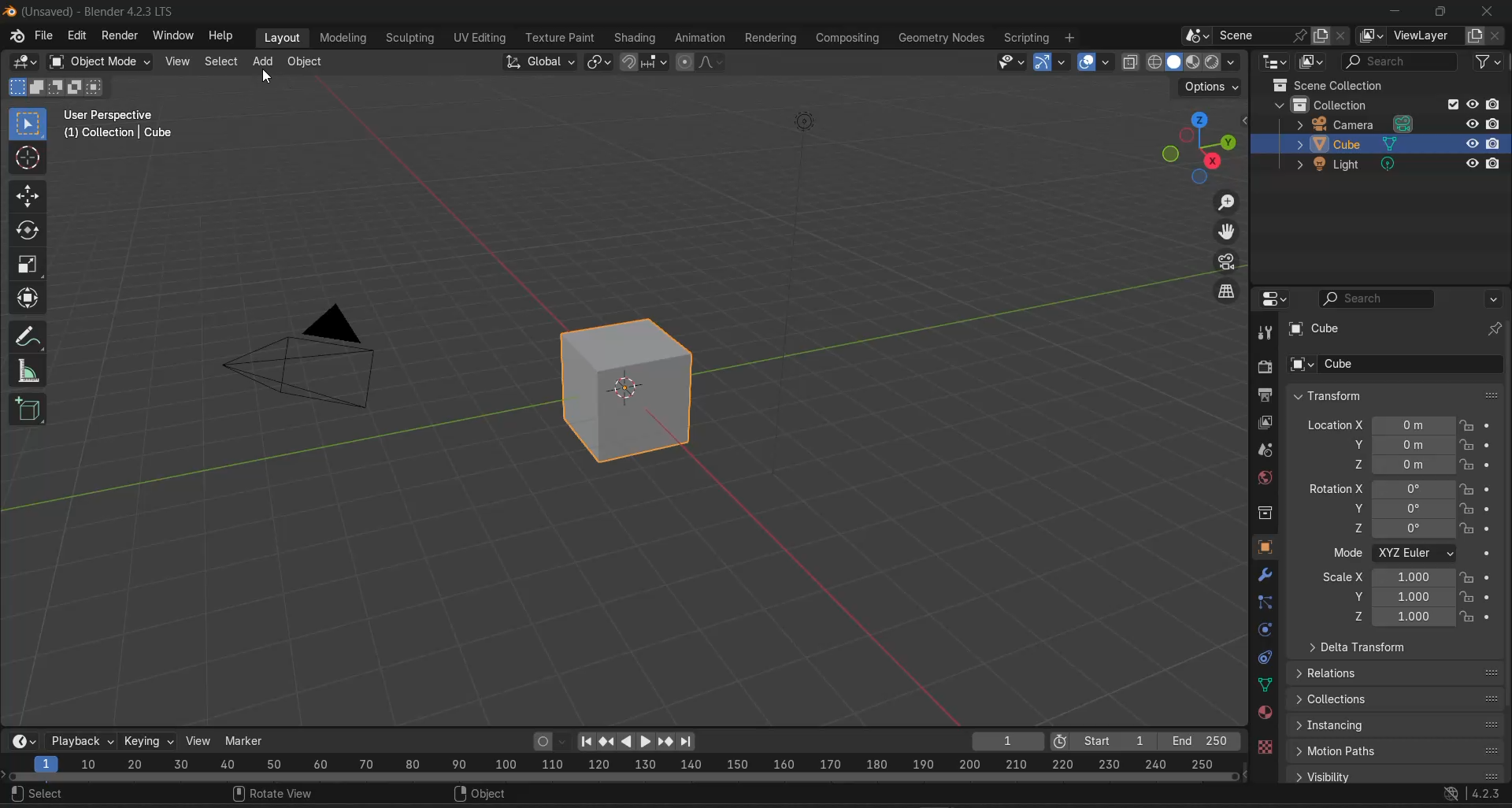  I want to click on animate property, so click(1491, 426).